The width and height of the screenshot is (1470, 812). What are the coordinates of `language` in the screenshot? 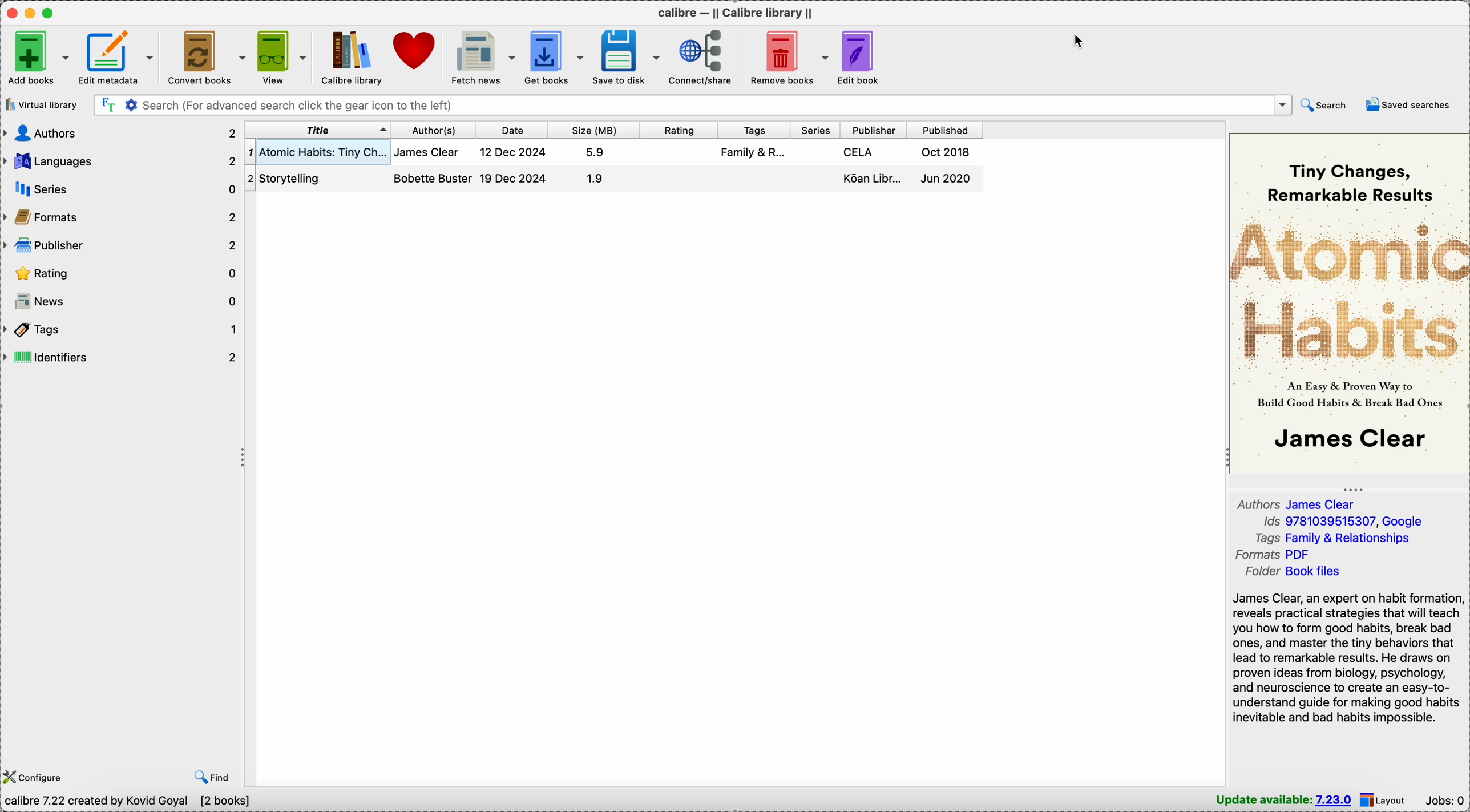 It's located at (122, 161).